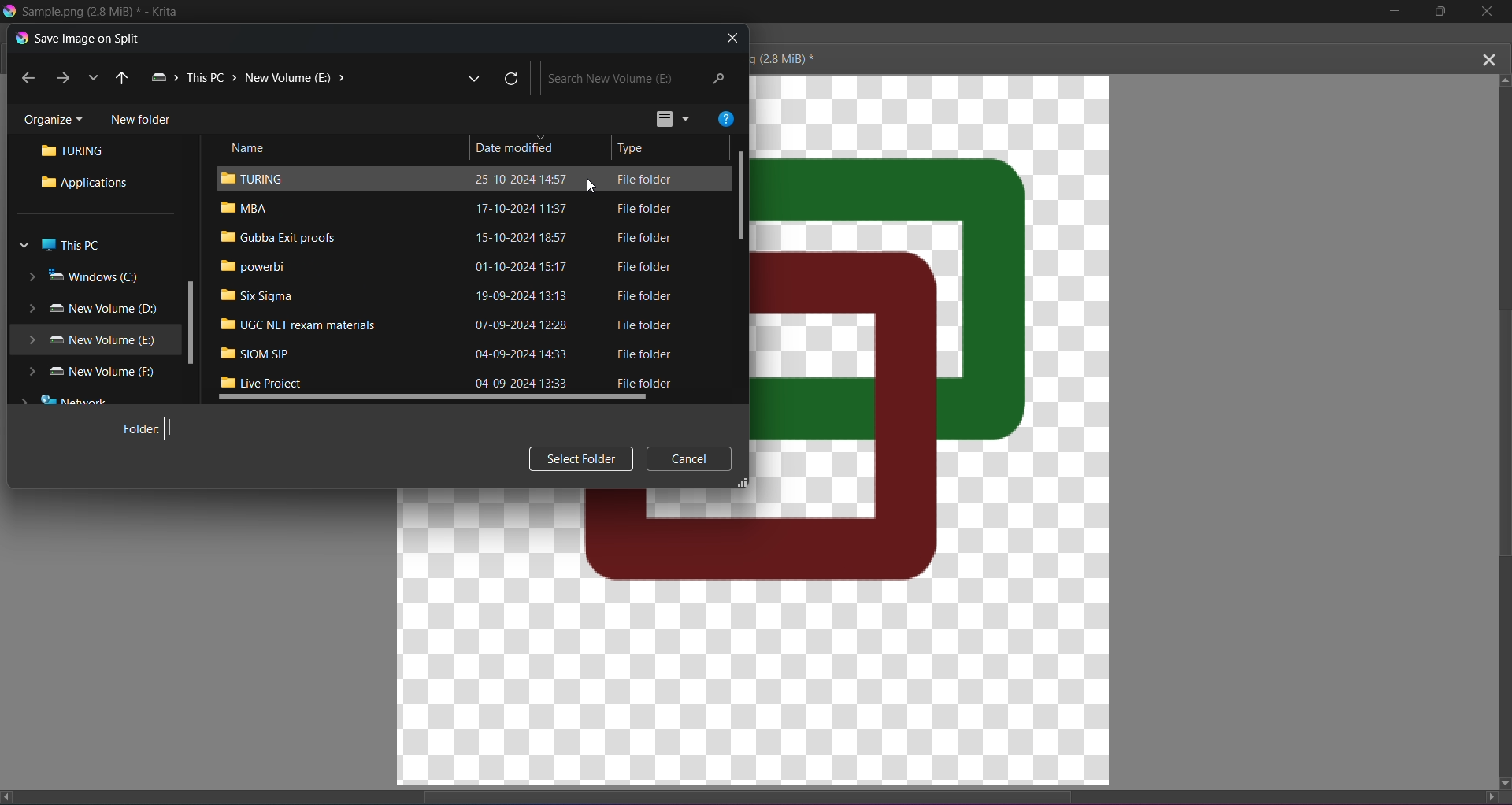 The height and width of the screenshot is (805, 1512). What do you see at coordinates (762, 792) in the screenshot?
I see `Horizontal scroll bar` at bounding box center [762, 792].